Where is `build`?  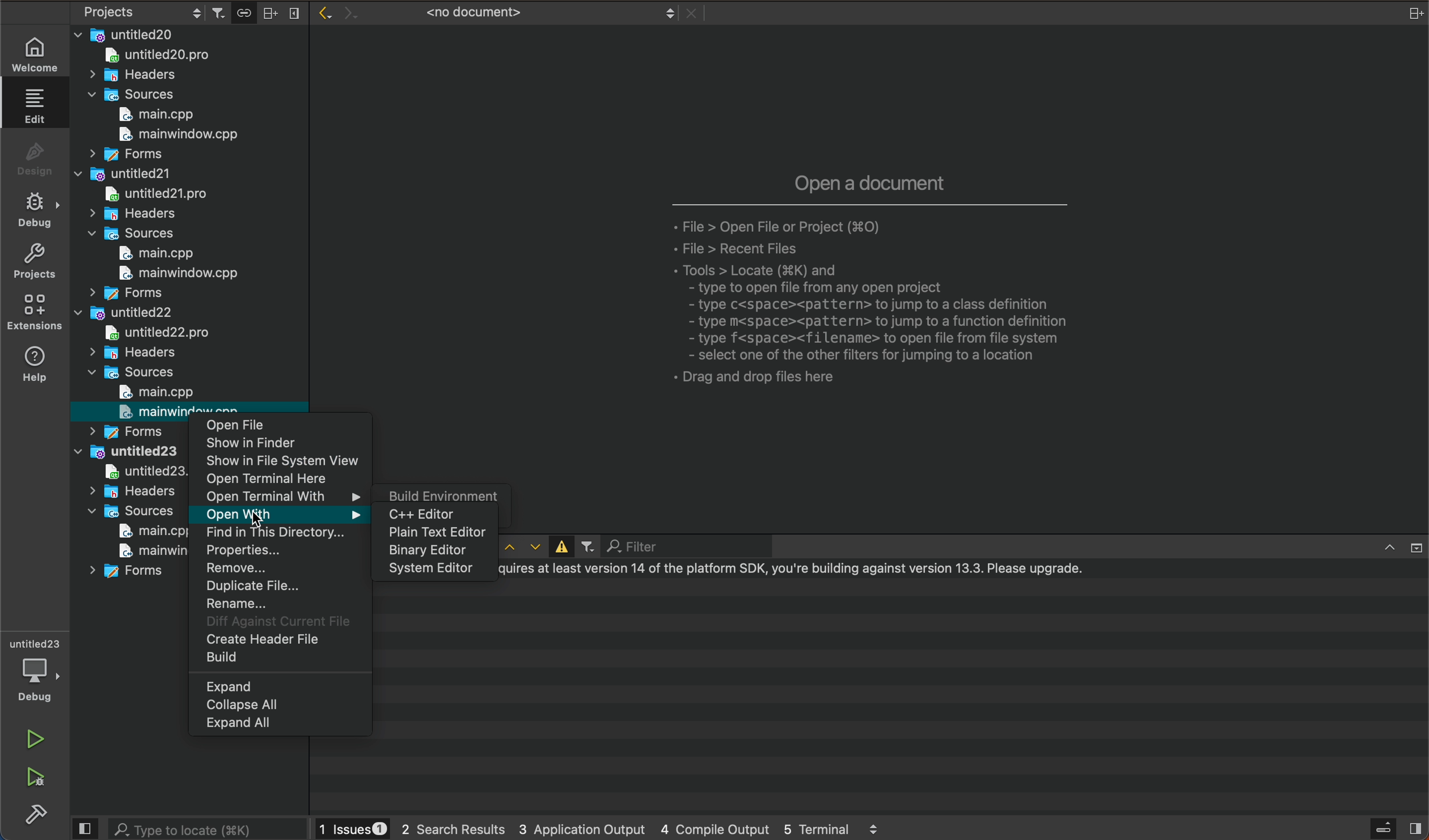 build is located at coordinates (277, 659).